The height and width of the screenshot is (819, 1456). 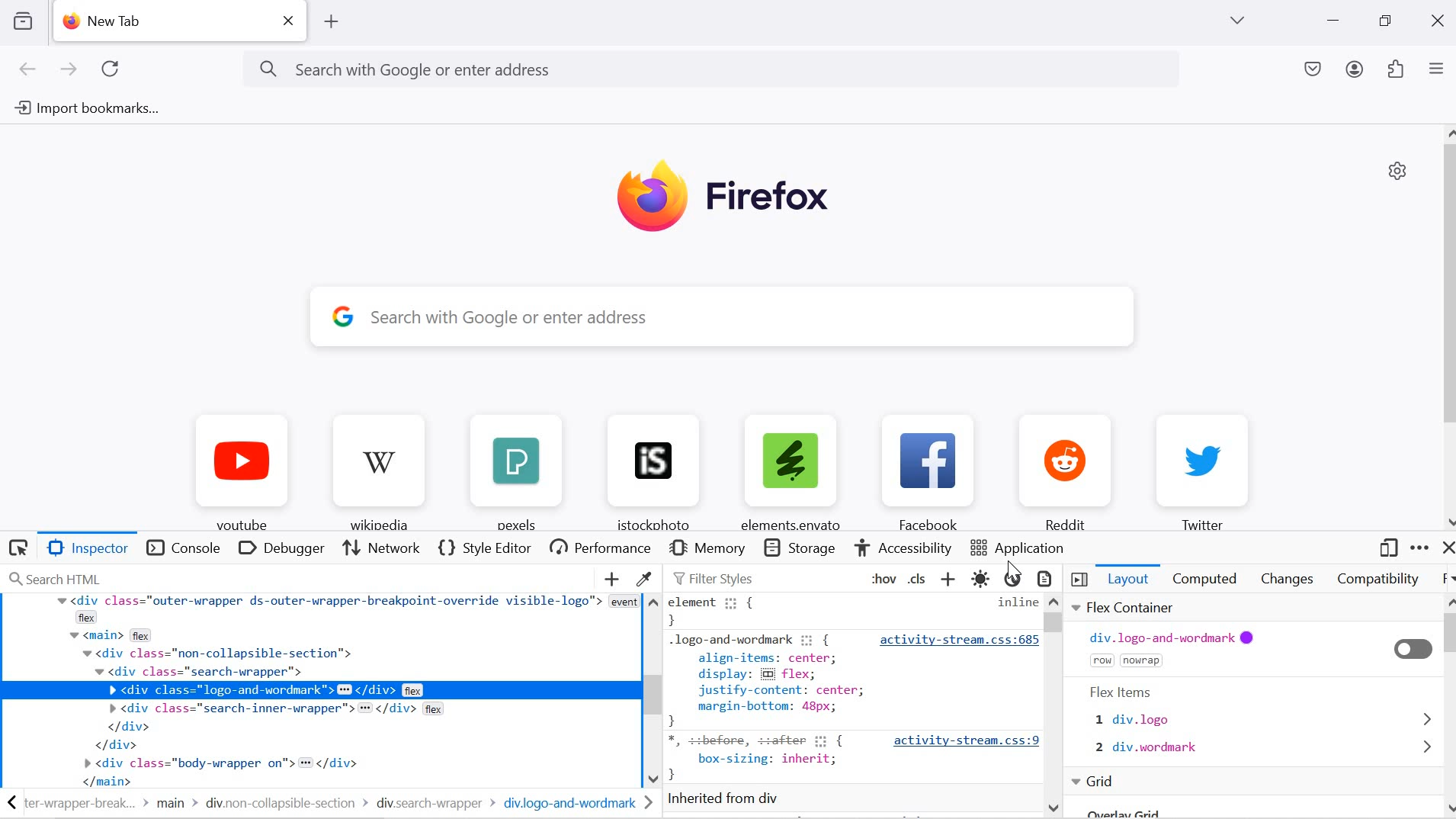 I want to click on toggle classes, so click(x=918, y=578).